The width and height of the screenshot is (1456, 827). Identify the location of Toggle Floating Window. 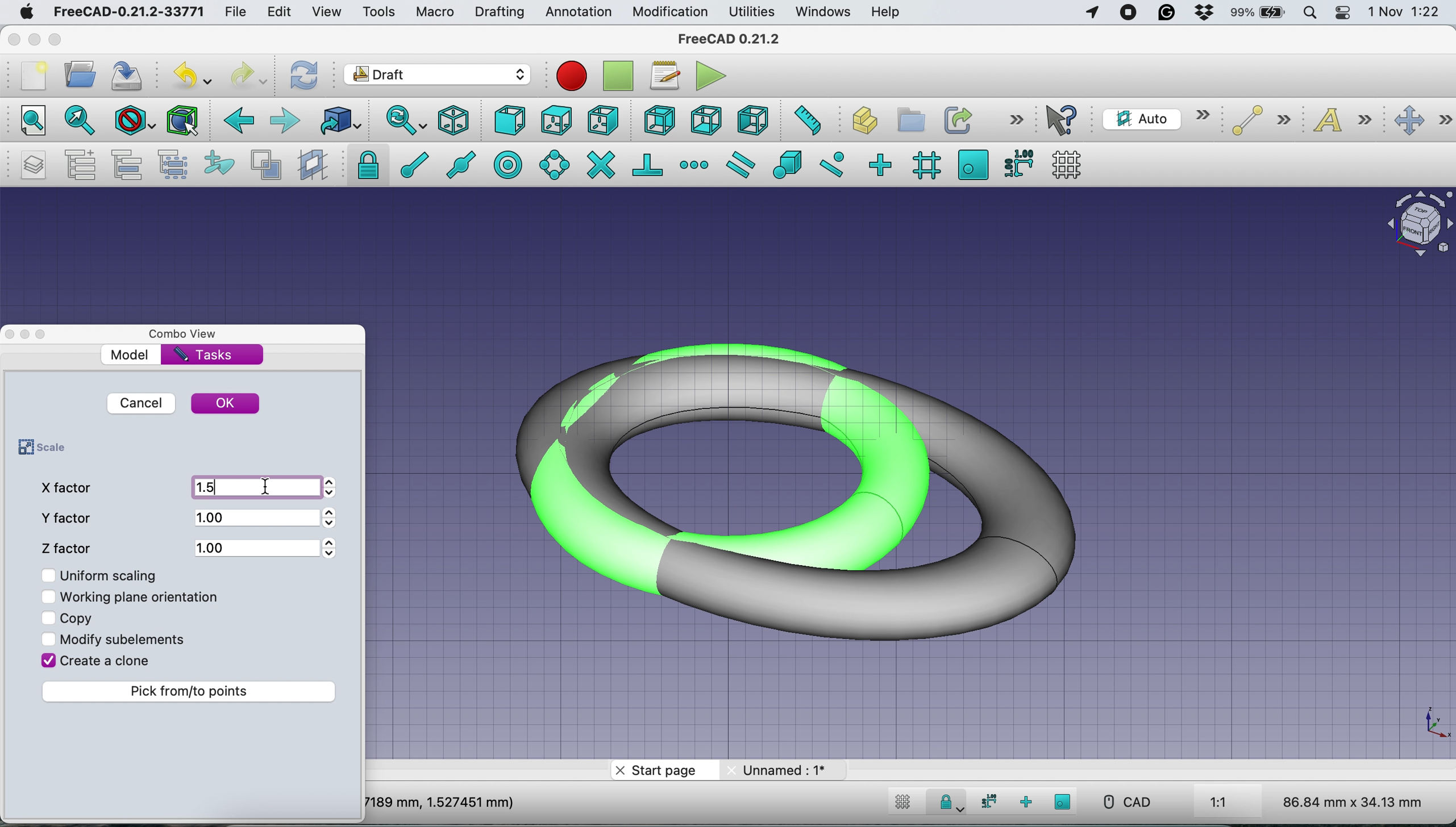
(27, 335).